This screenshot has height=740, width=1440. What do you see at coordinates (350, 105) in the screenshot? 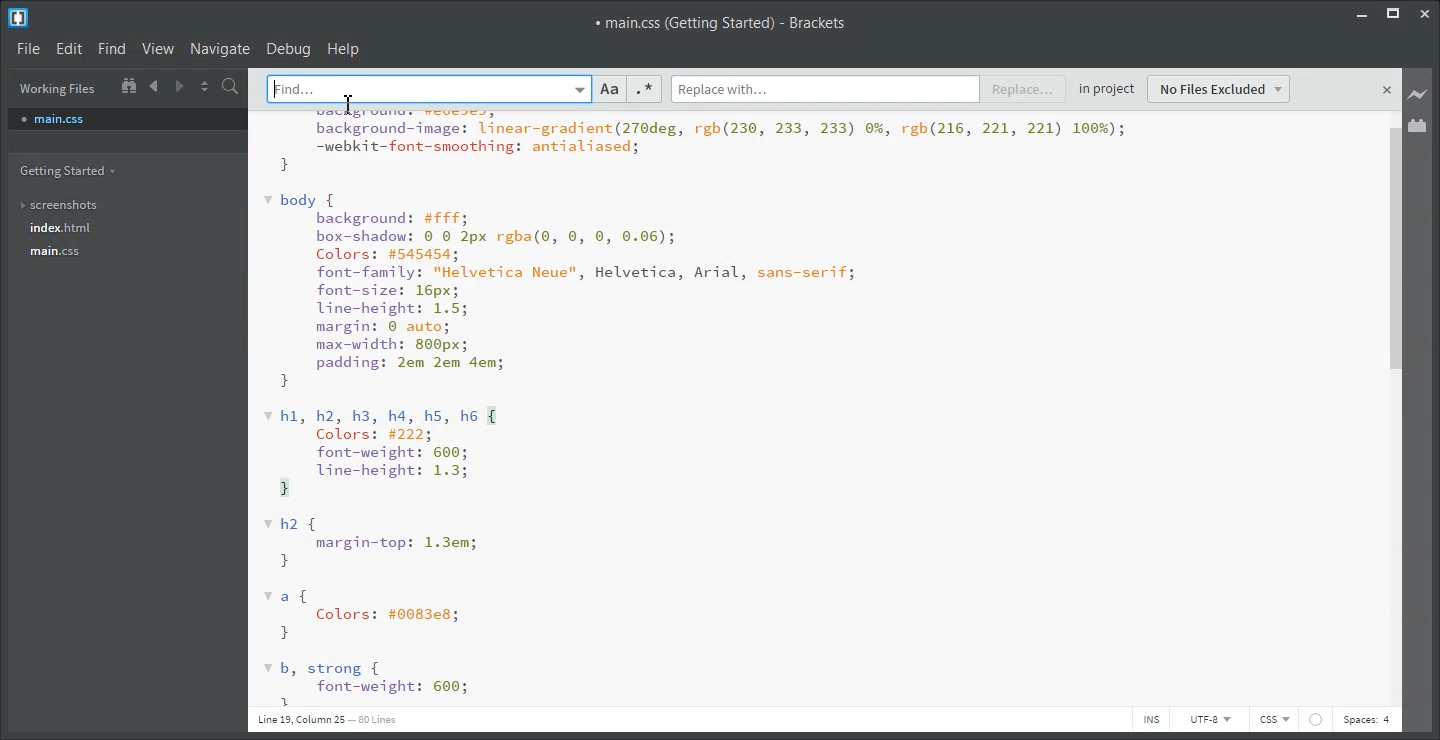
I see `cursor` at bounding box center [350, 105].